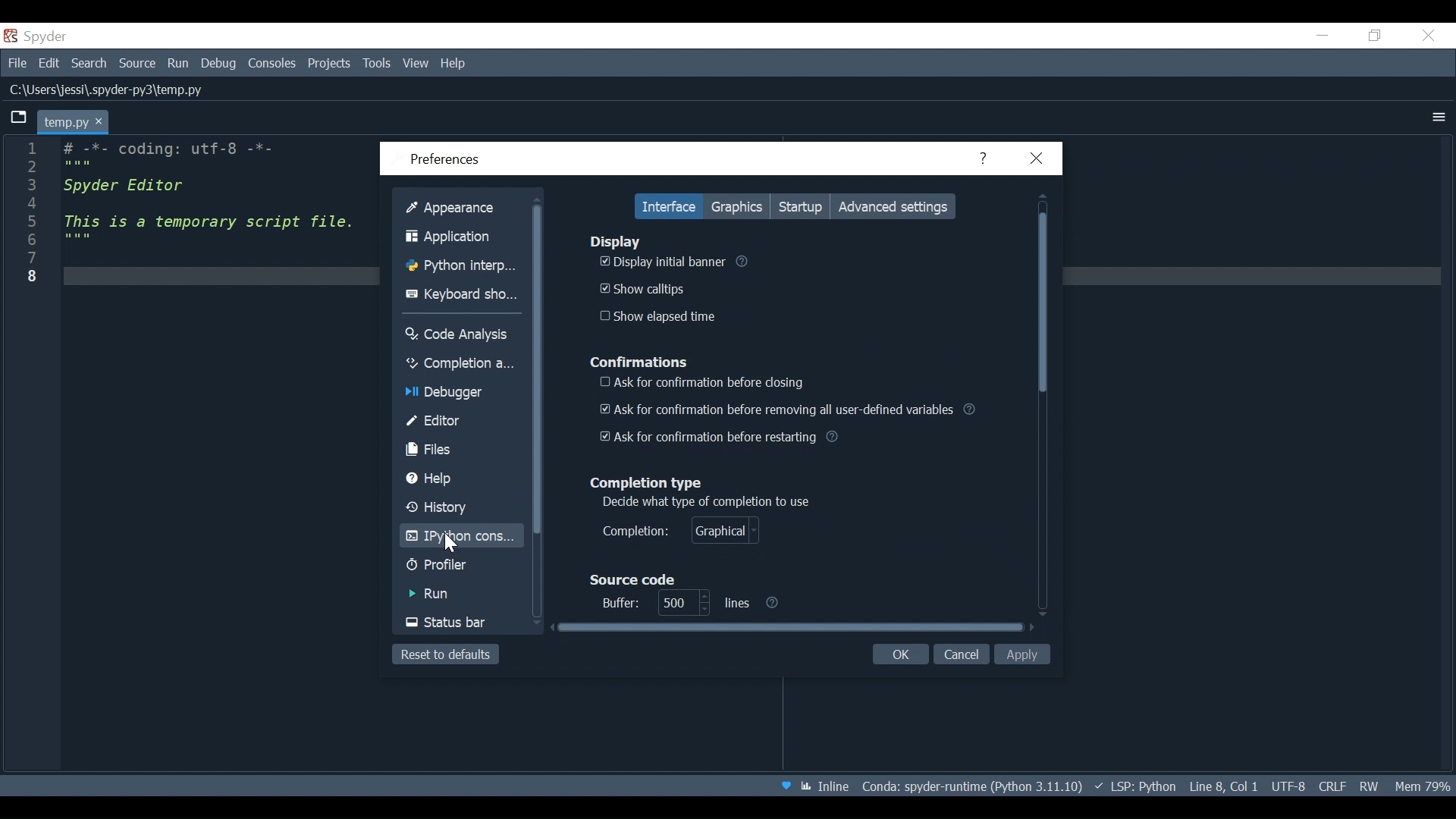 This screenshot has width=1456, height=819. Describe the element at coordinates (701, 383) in the screenshot. I see `(un)check Ask for confirmation before closing` at that location.